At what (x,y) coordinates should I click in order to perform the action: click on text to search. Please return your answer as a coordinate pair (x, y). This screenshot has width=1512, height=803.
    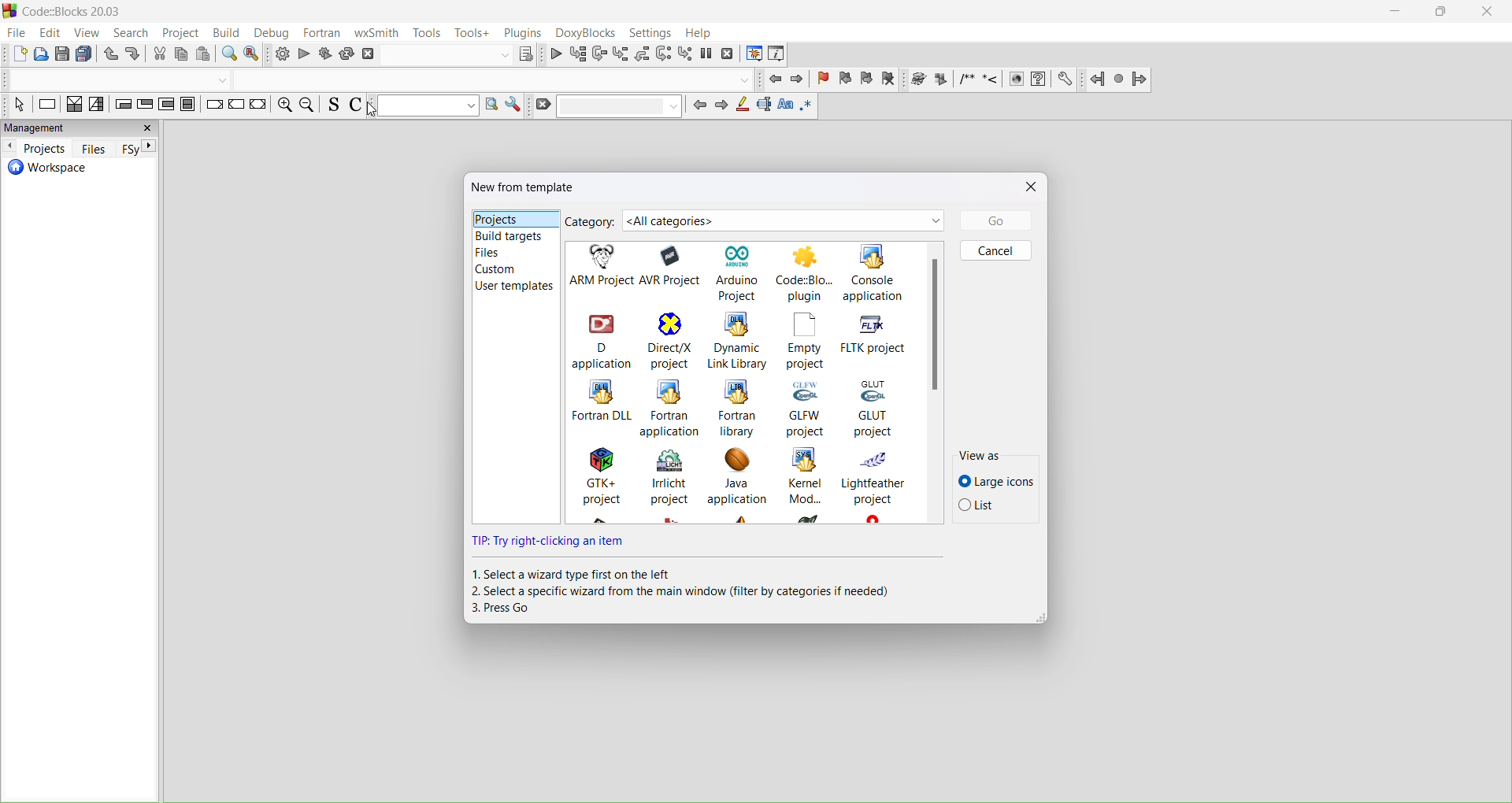
    Looking at the image, I should click on (424, 107).